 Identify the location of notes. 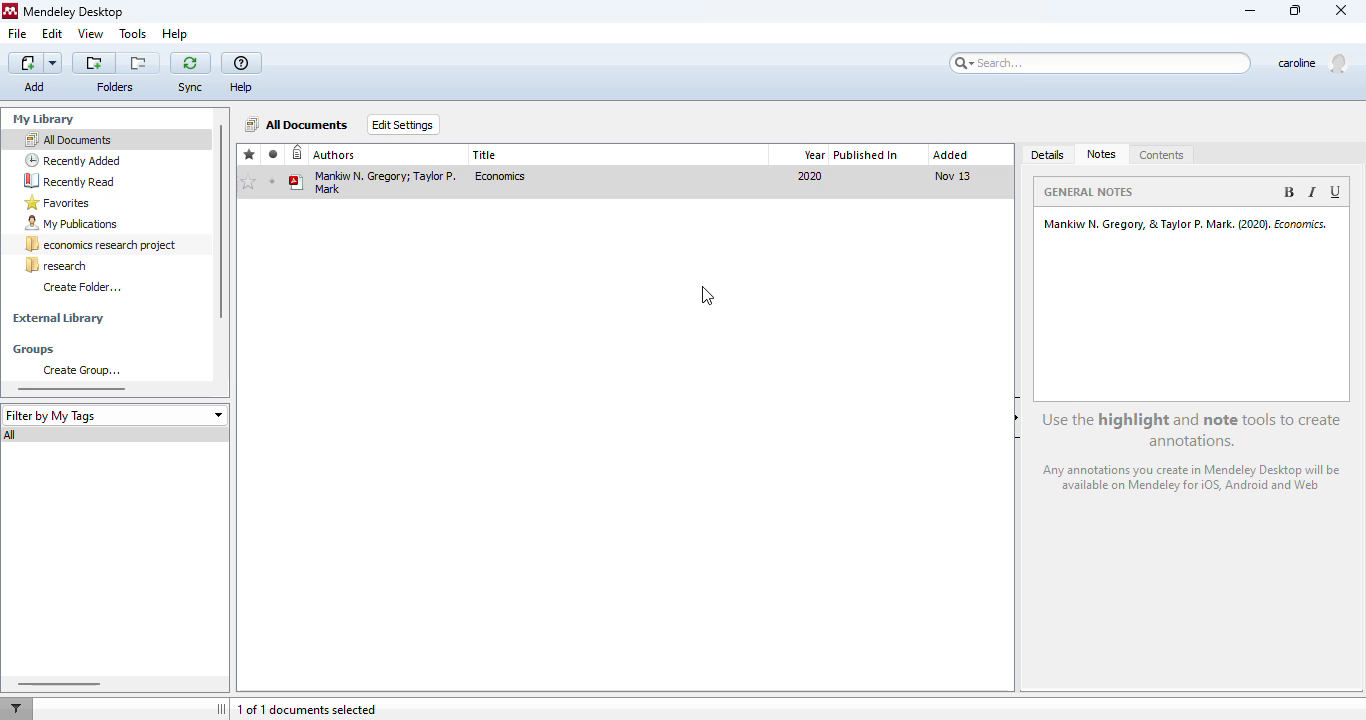
(1102, 154).